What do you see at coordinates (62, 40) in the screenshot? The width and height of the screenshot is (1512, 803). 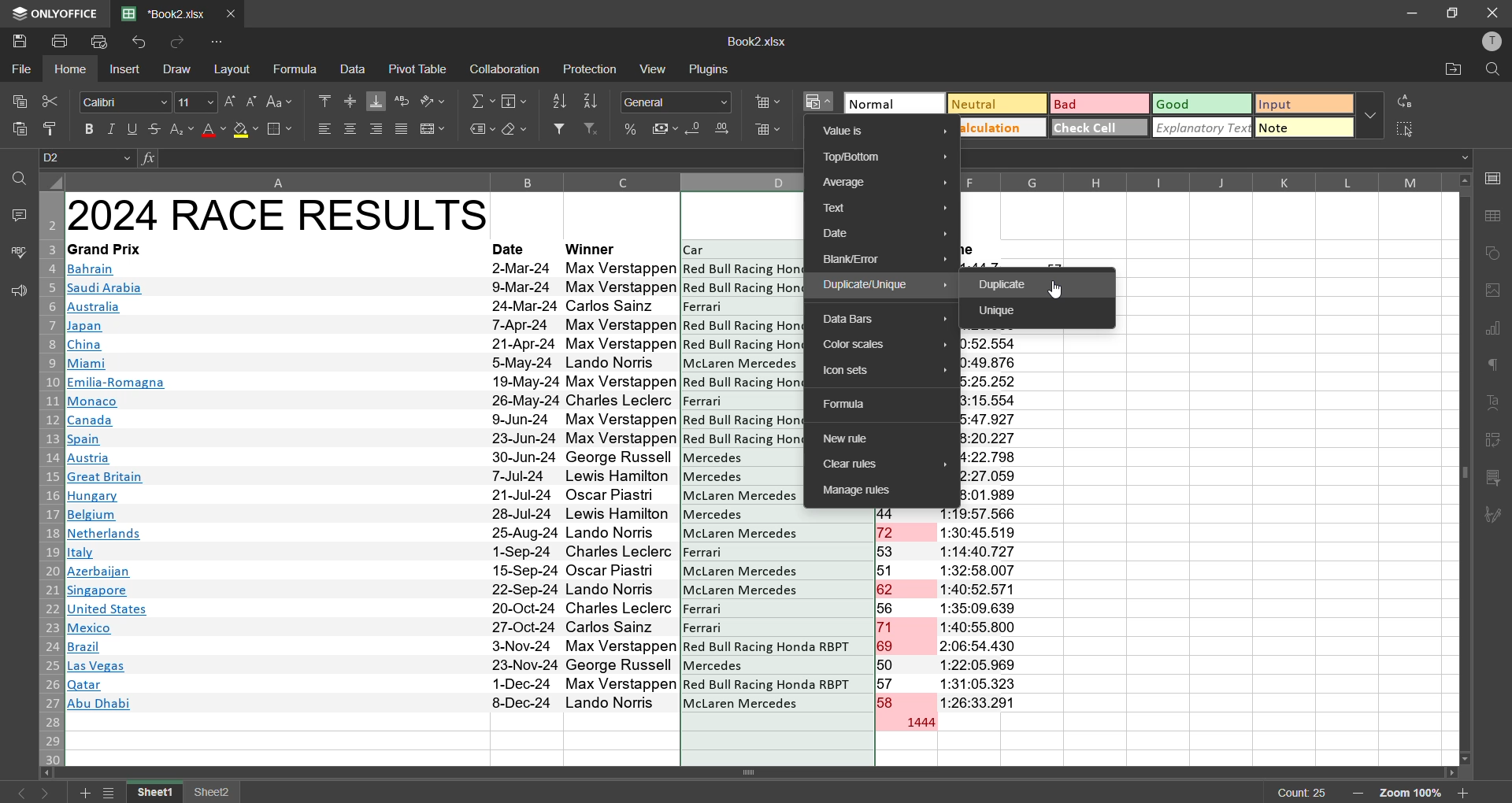 I see `print` at bounding box center [62, 40].